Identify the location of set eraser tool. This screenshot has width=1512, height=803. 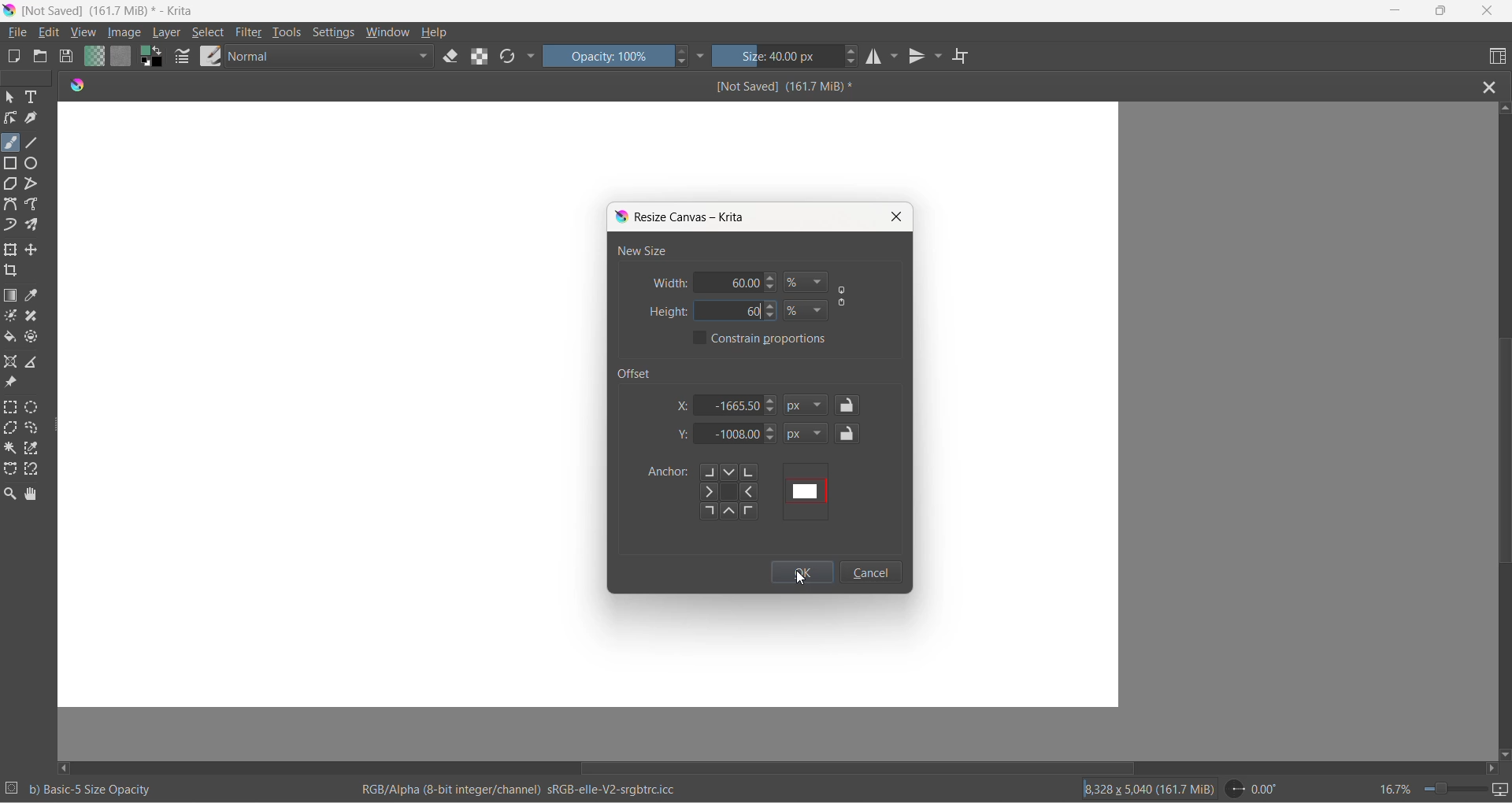
(451, 56).